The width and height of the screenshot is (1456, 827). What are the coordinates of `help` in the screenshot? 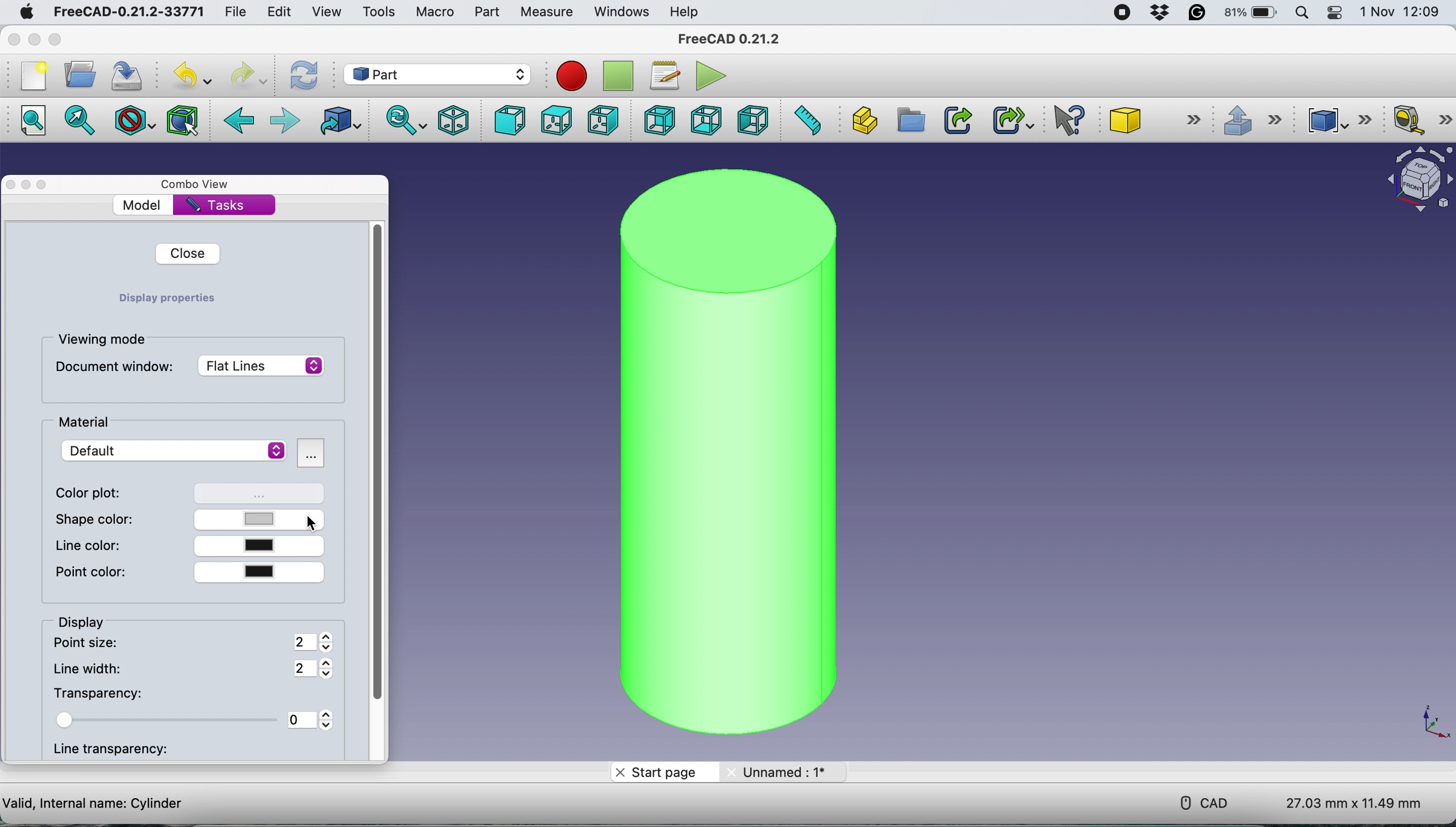 It's located at (687, 12).